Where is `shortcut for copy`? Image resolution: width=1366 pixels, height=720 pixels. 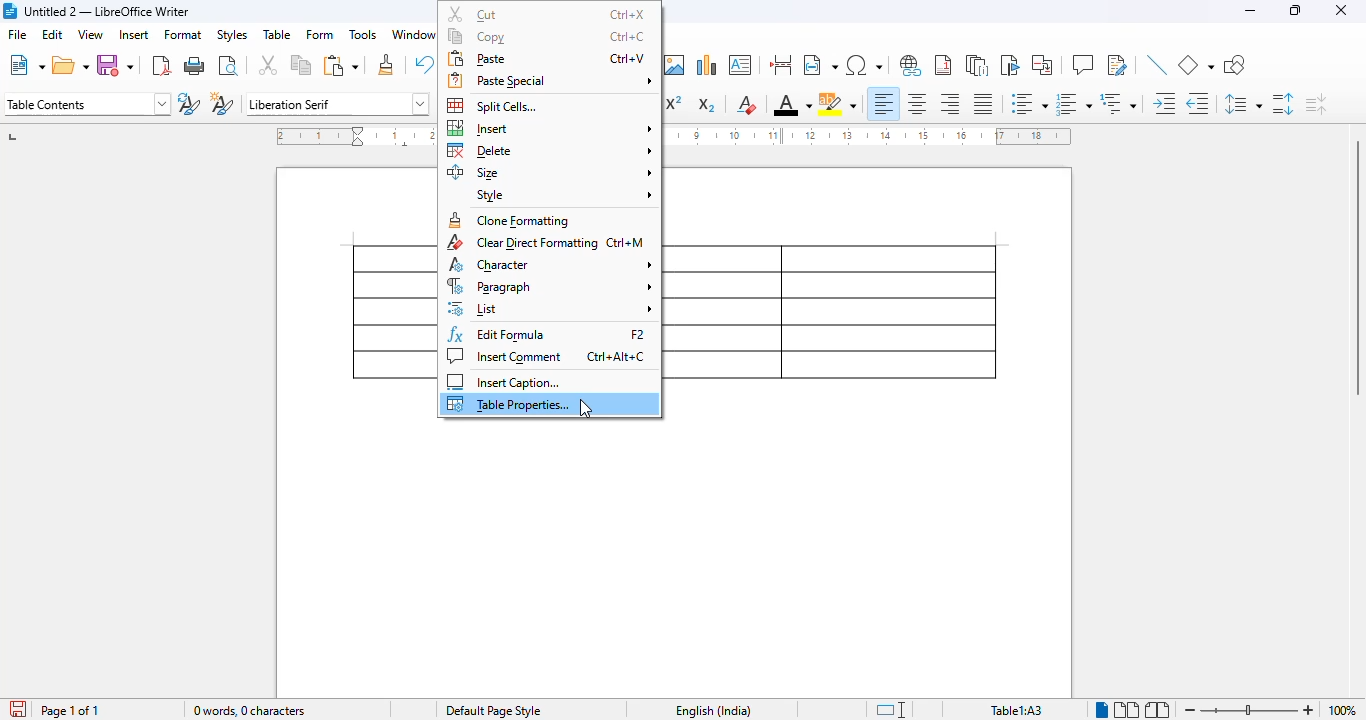 shortcut for copy is located at coordinates (628, 37).